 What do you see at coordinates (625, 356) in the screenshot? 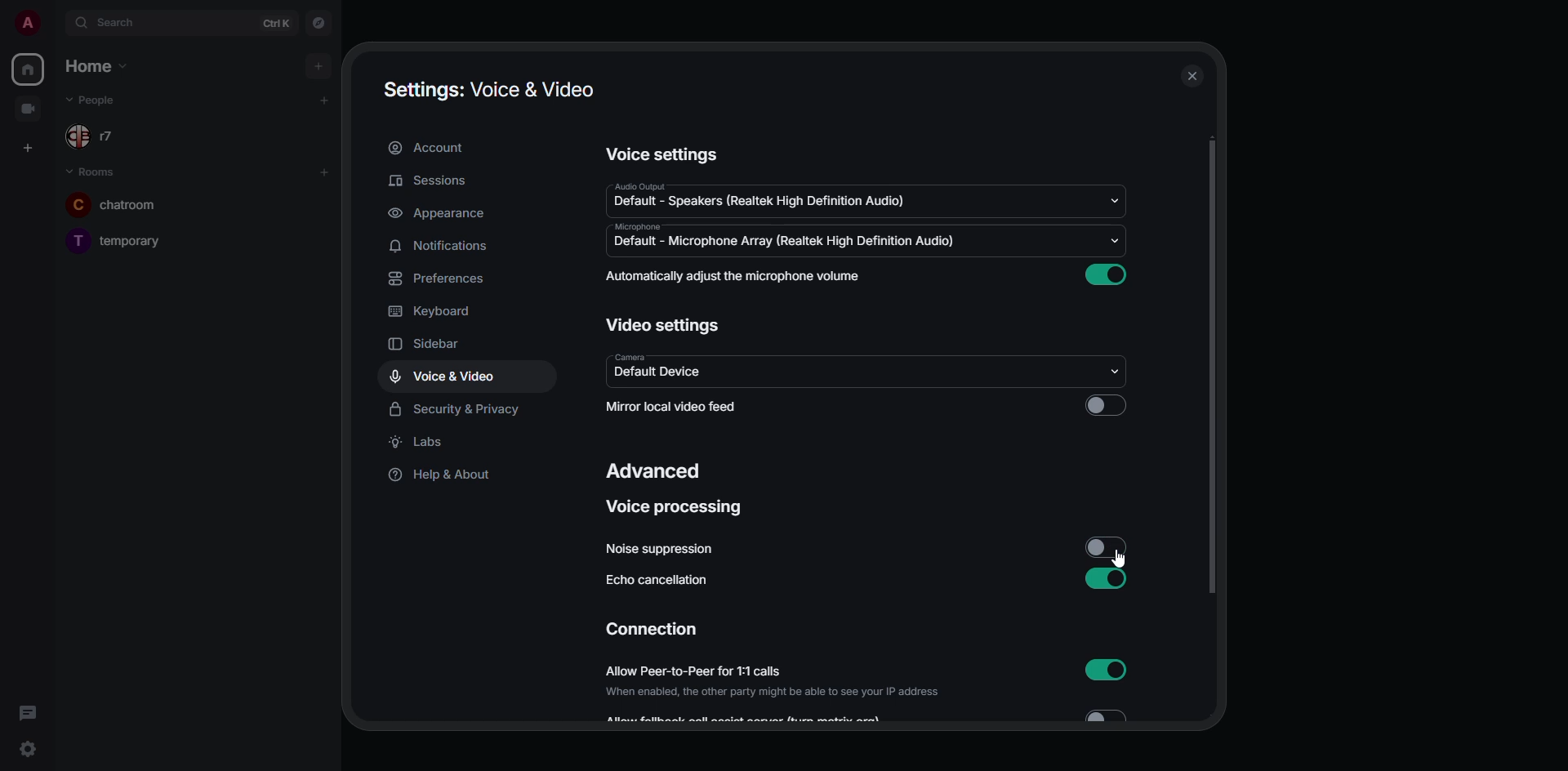
I see `camera` at bounding box center [625, 356].